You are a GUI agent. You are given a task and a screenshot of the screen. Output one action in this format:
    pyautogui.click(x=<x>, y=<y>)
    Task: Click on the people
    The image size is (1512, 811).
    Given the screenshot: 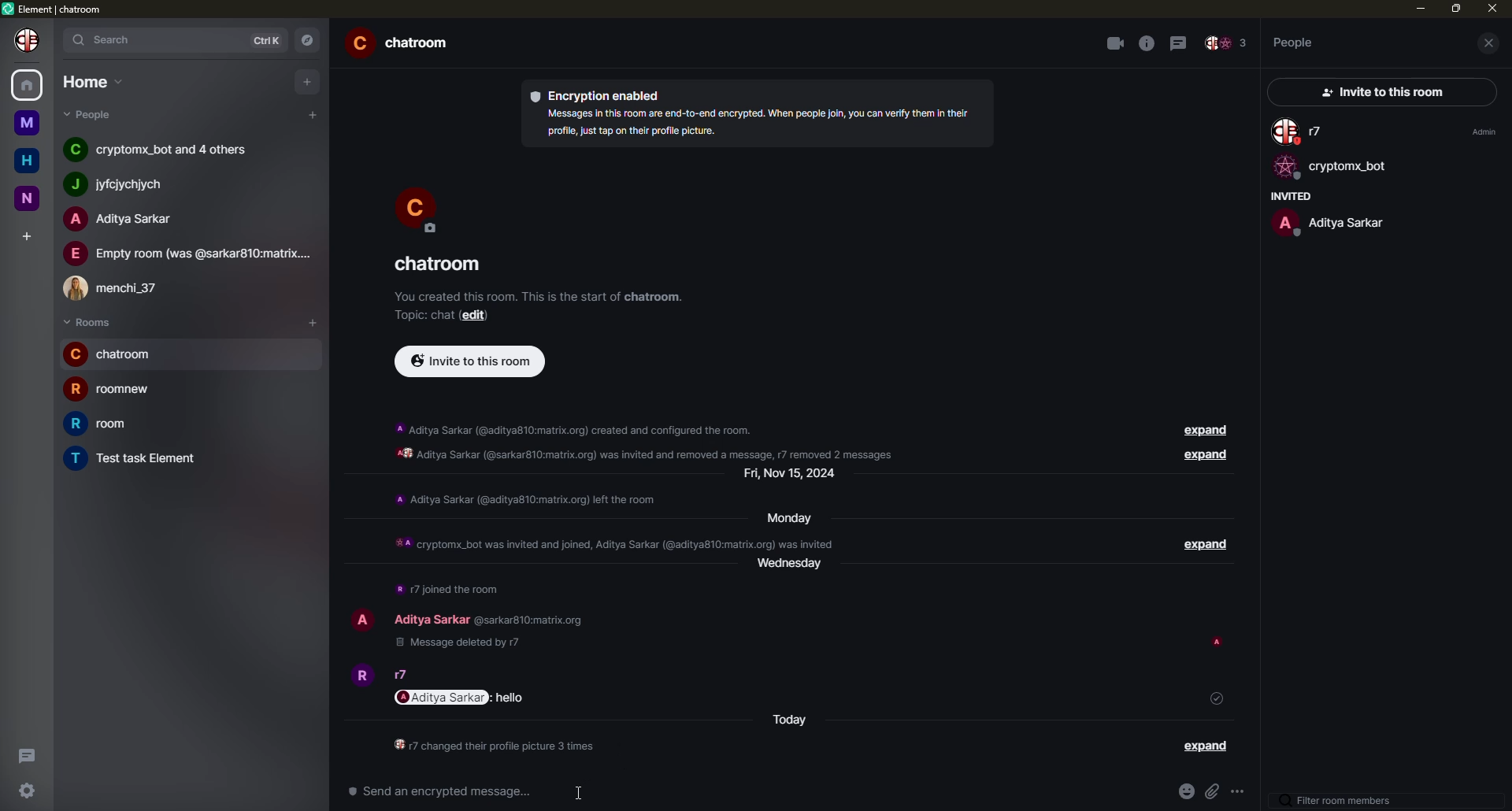 What is the action you would take?
    pyautogui.click(x=431, y=619)
    